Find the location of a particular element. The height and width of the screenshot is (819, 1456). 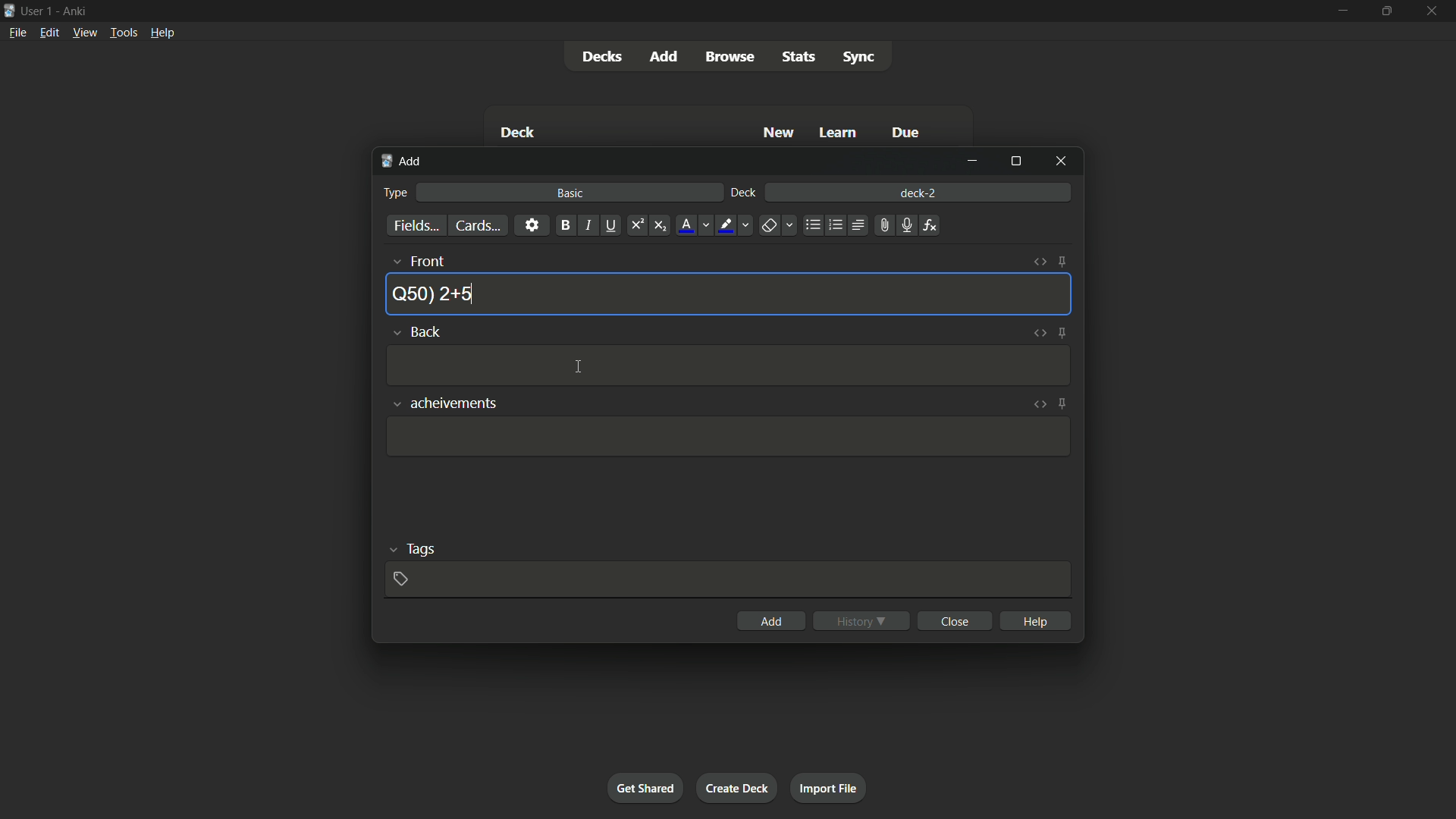

Deck is located at coordinates (516, 132).